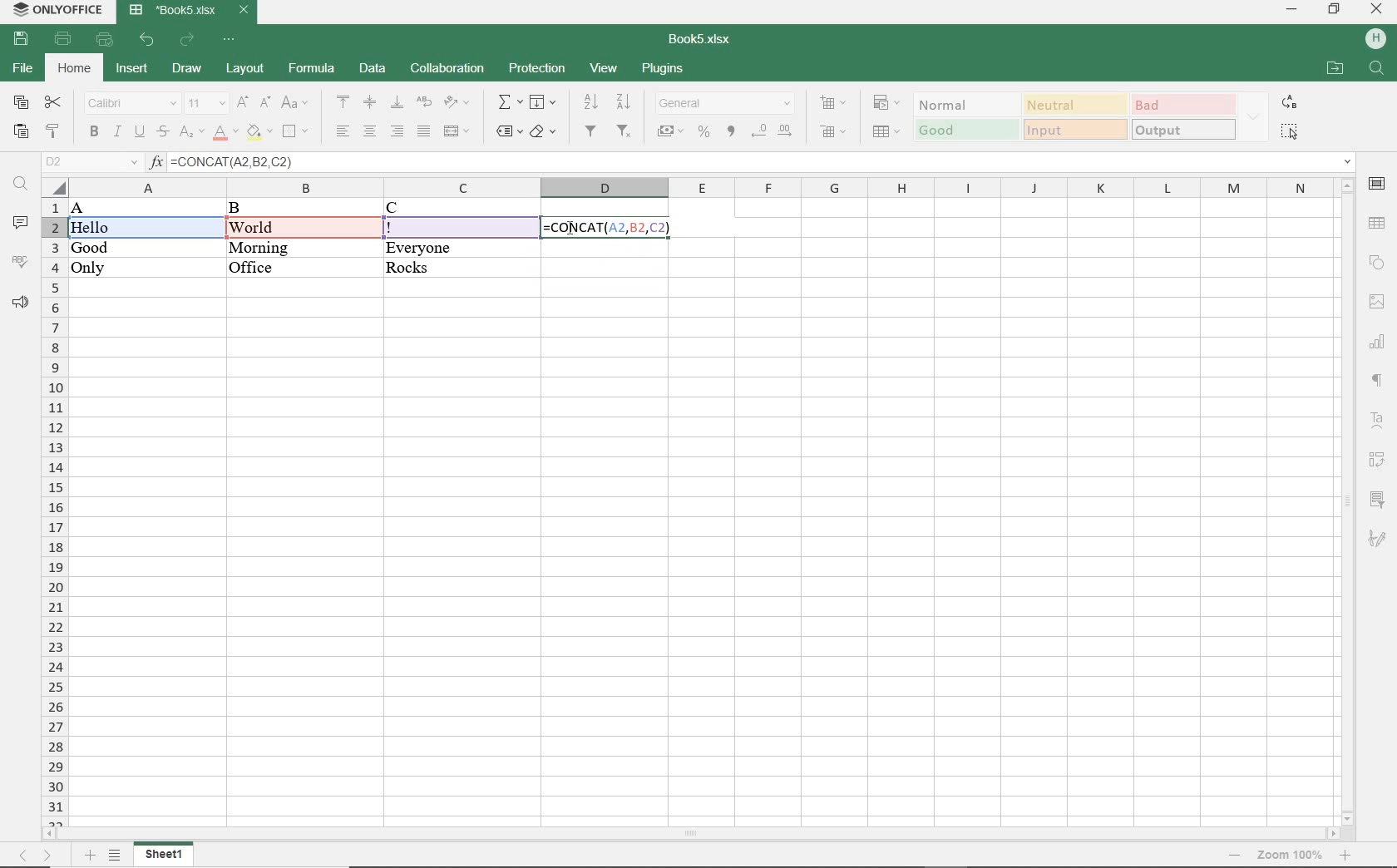 The height and width of the screenshot is (868, 1397). I want to click on DATA, so click(370, 69).